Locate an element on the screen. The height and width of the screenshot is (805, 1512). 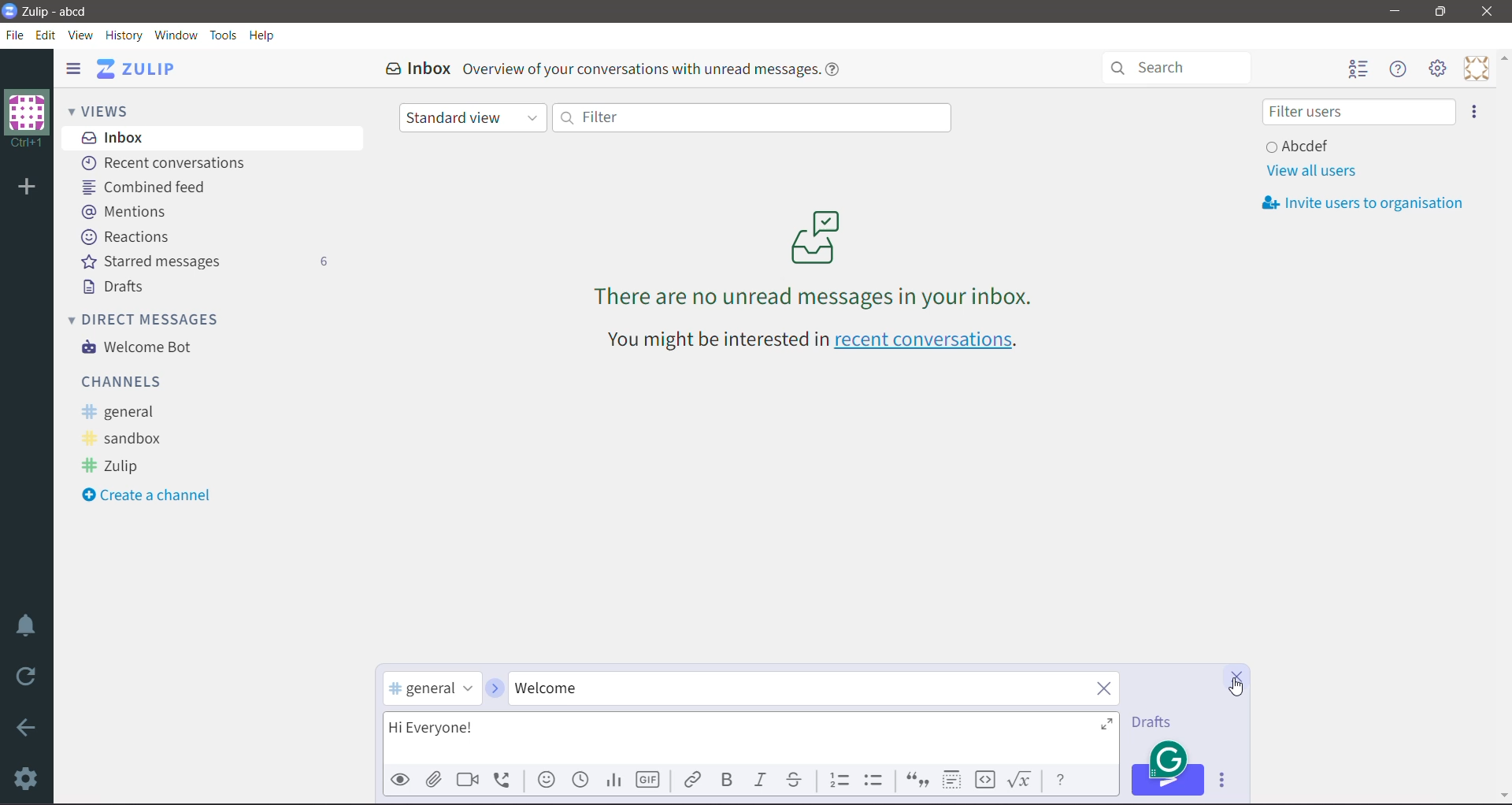
Main Menu is located at coordinates (1439, 69).